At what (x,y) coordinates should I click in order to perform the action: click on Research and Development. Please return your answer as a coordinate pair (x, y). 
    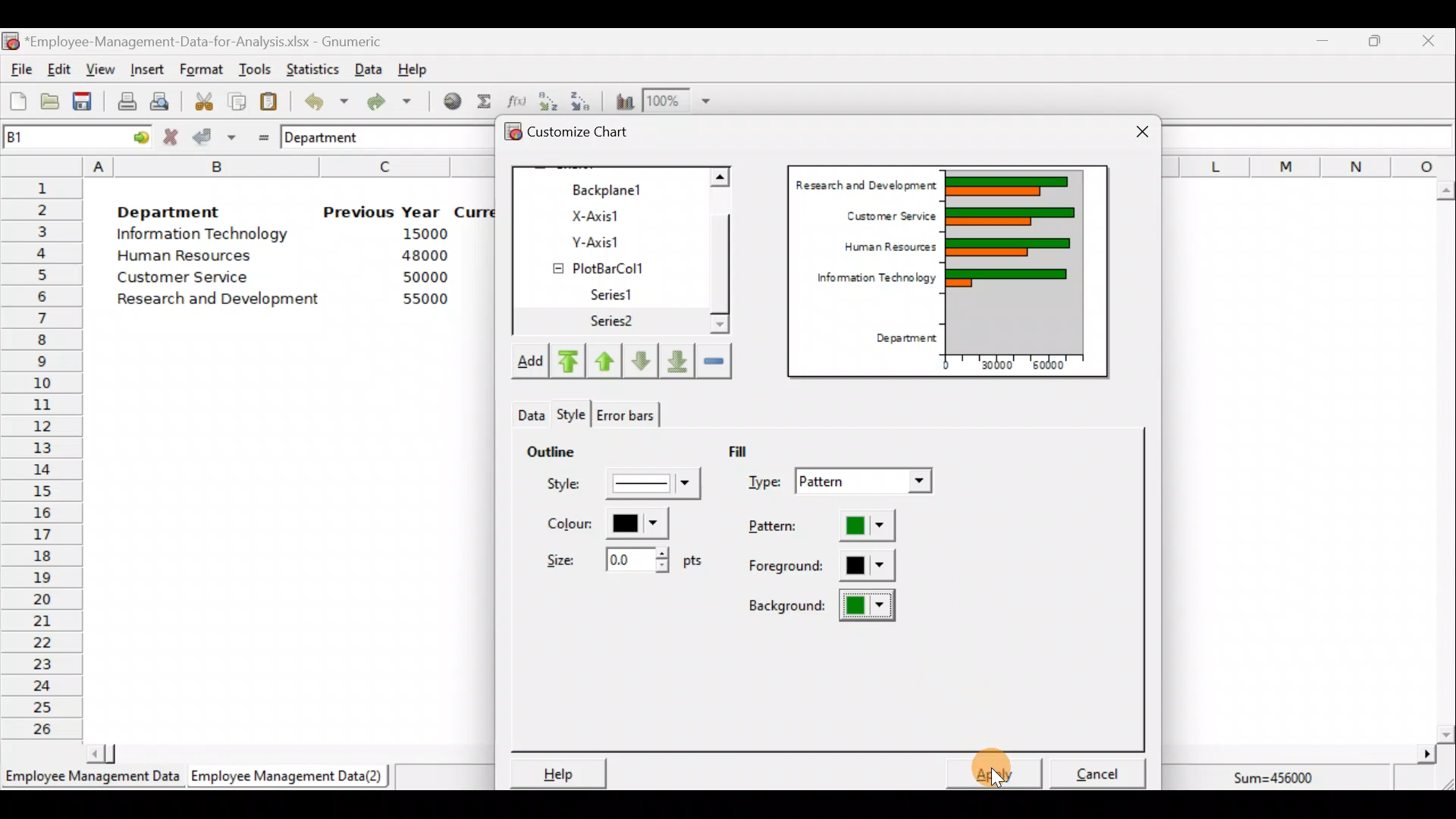
    Looking at the image, I should click on (865, 183).